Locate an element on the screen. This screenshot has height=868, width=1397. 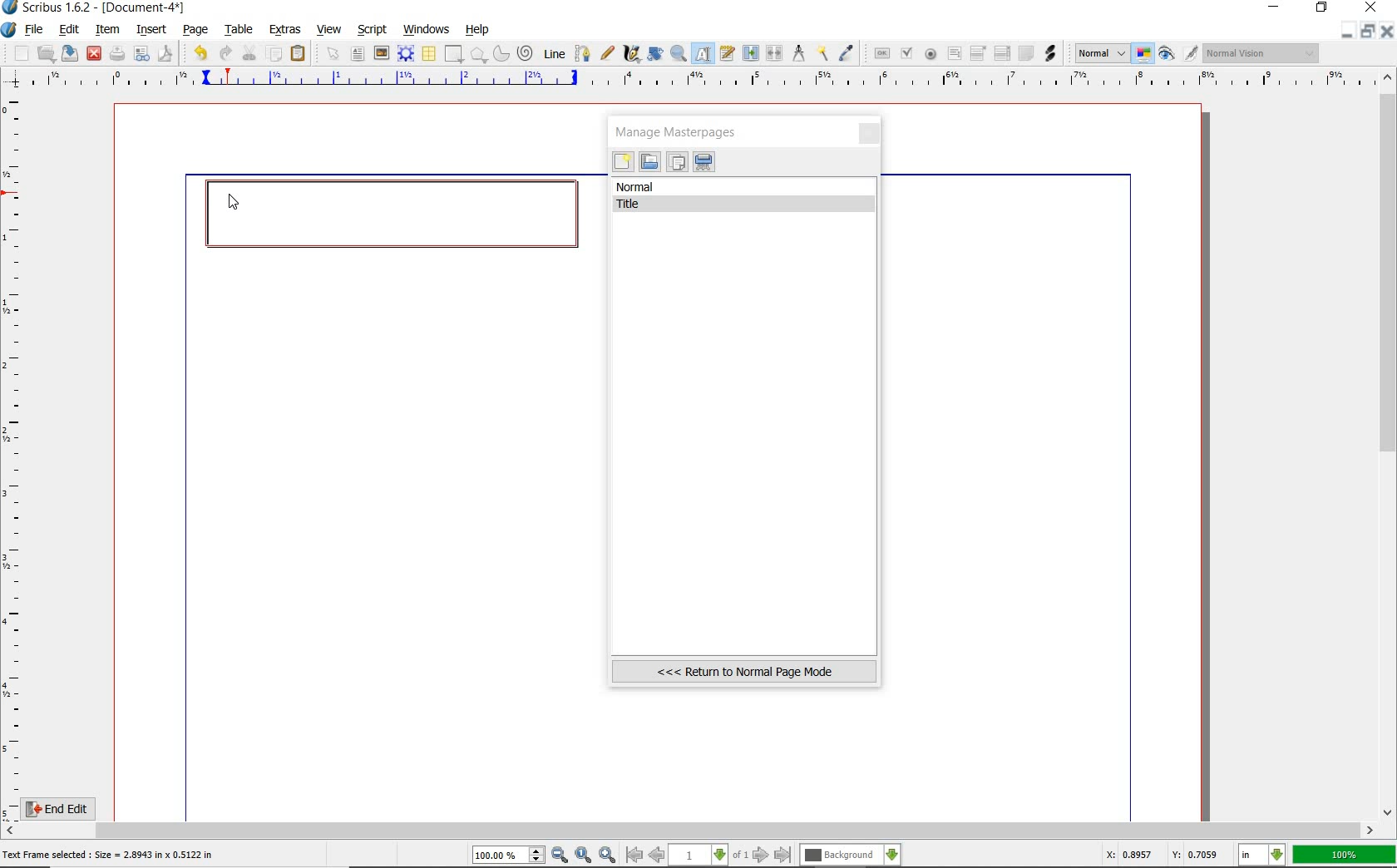
measurements is located at coordinates (799, 54).